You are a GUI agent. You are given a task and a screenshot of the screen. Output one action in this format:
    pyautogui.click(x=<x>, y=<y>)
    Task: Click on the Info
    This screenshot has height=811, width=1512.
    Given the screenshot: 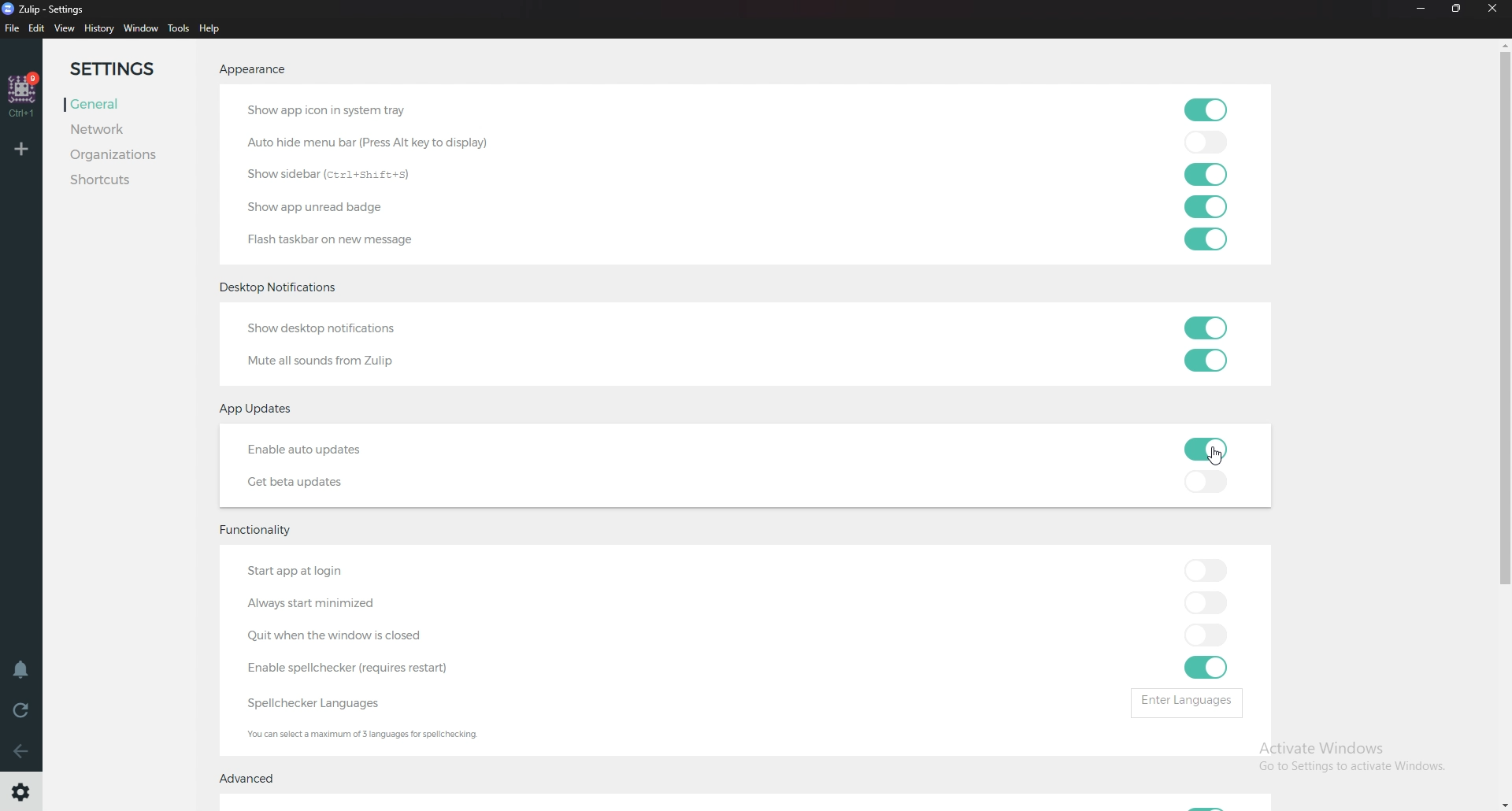 What is the action you would take?
    pyautogui.click(x=384, y=735)
    